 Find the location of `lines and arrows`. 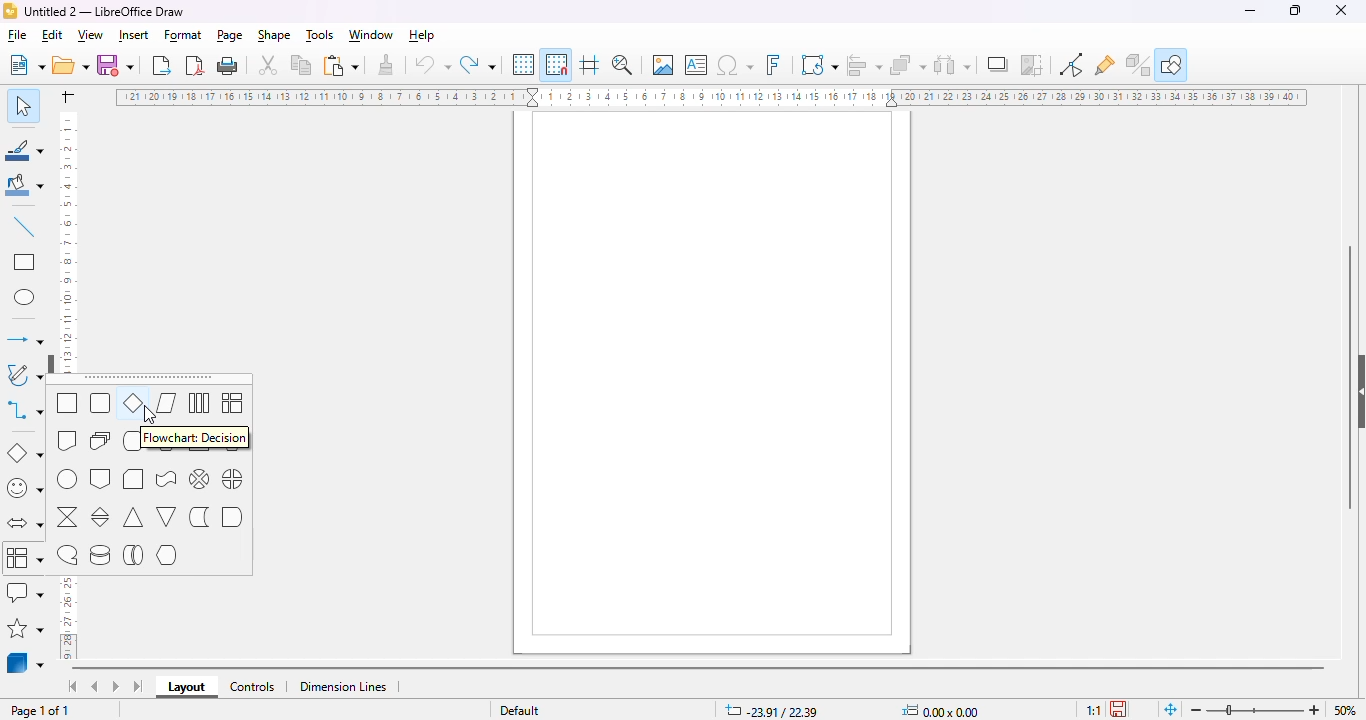

lines and arrows is located at coordinates (25, 339).